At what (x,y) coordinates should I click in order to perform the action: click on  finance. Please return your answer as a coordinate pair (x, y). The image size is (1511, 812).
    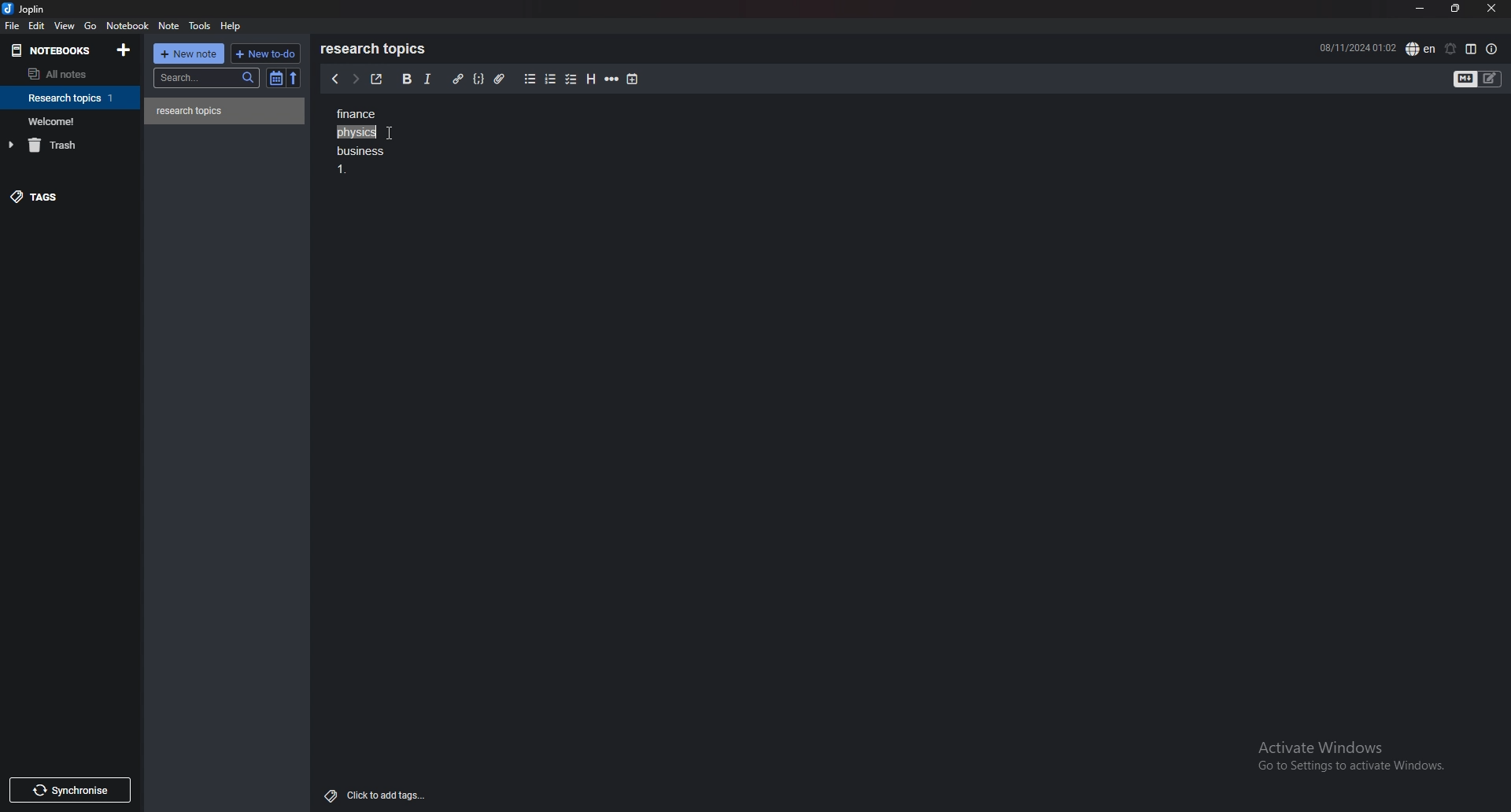
    Looking at the image, I should click on (375, 109).